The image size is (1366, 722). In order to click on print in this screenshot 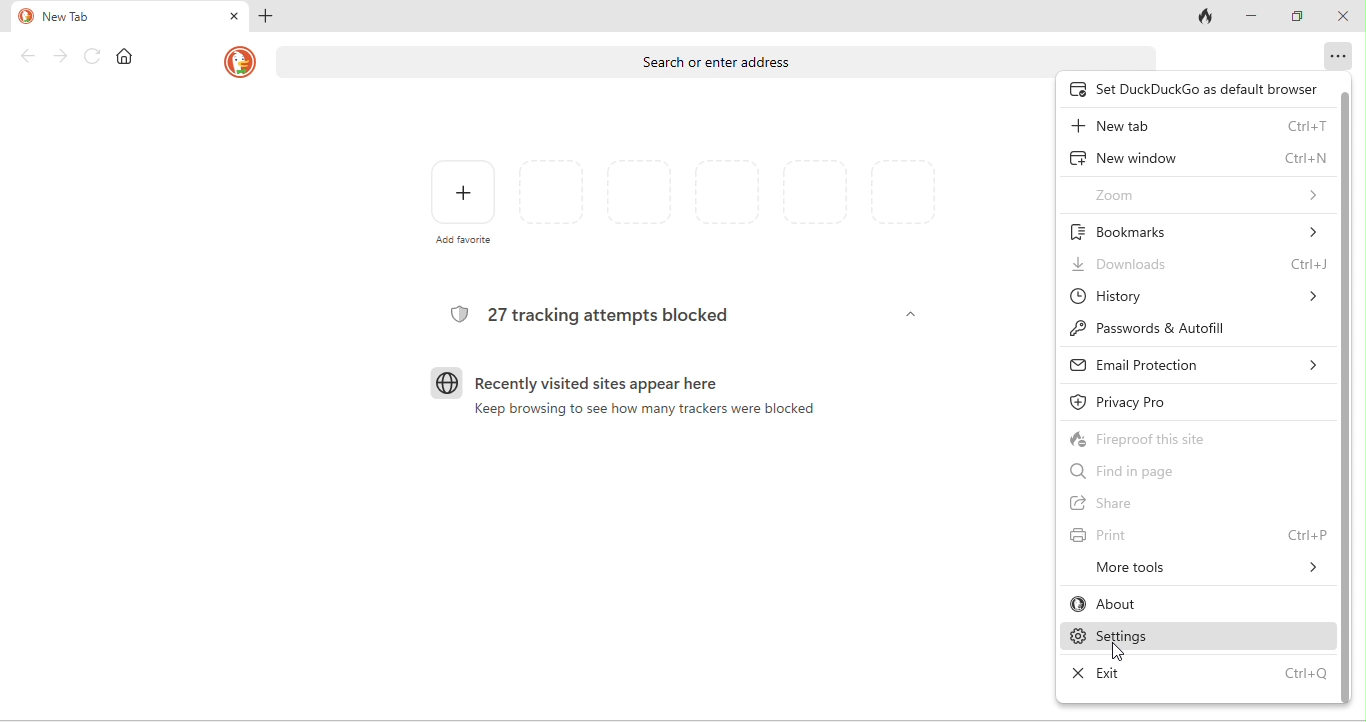, I will do `click(1195, 534)`.